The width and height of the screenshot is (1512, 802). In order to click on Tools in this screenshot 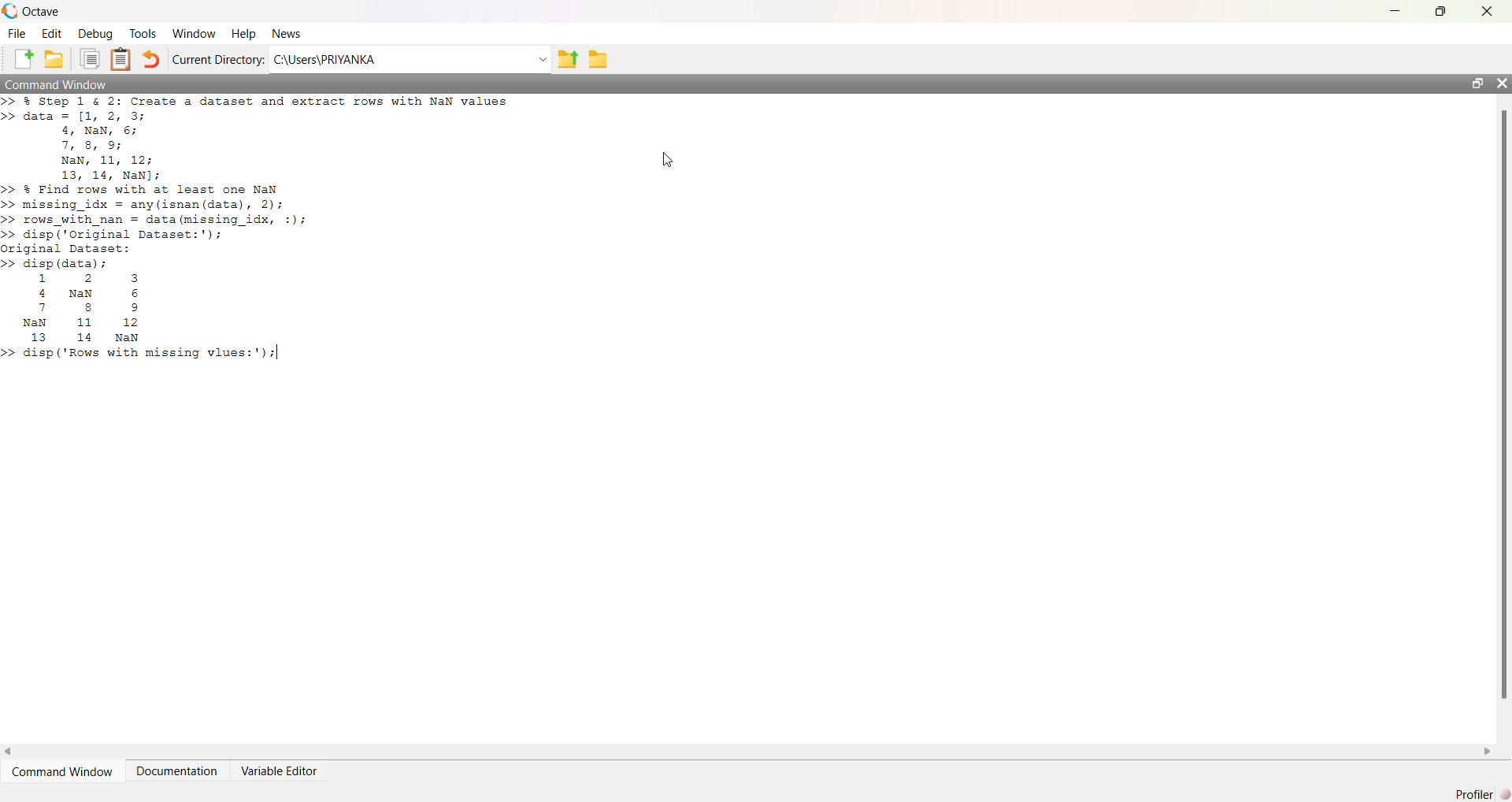, I will do `click(143, 33)`.